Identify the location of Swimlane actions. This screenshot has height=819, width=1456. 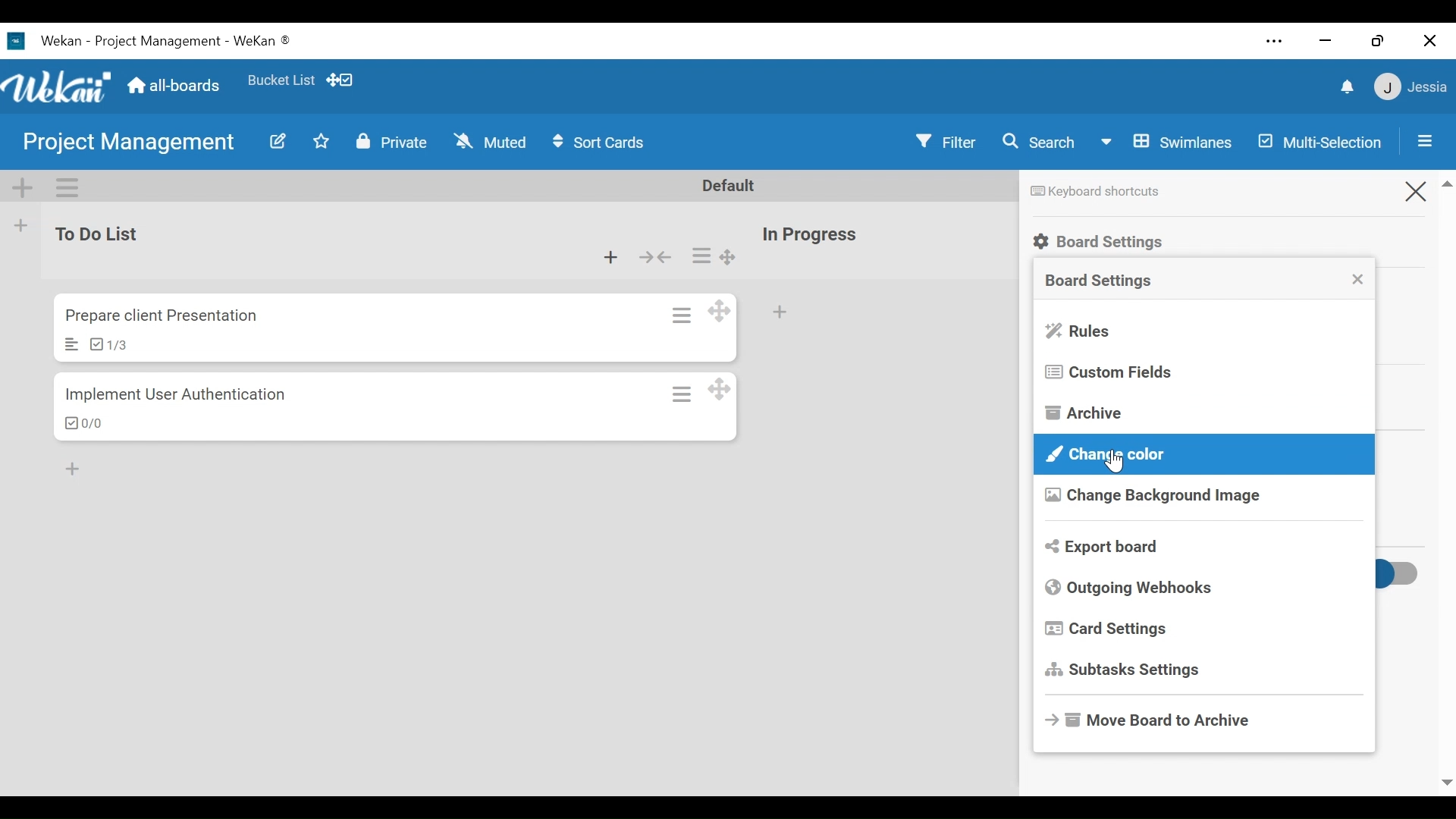
(67, 187).